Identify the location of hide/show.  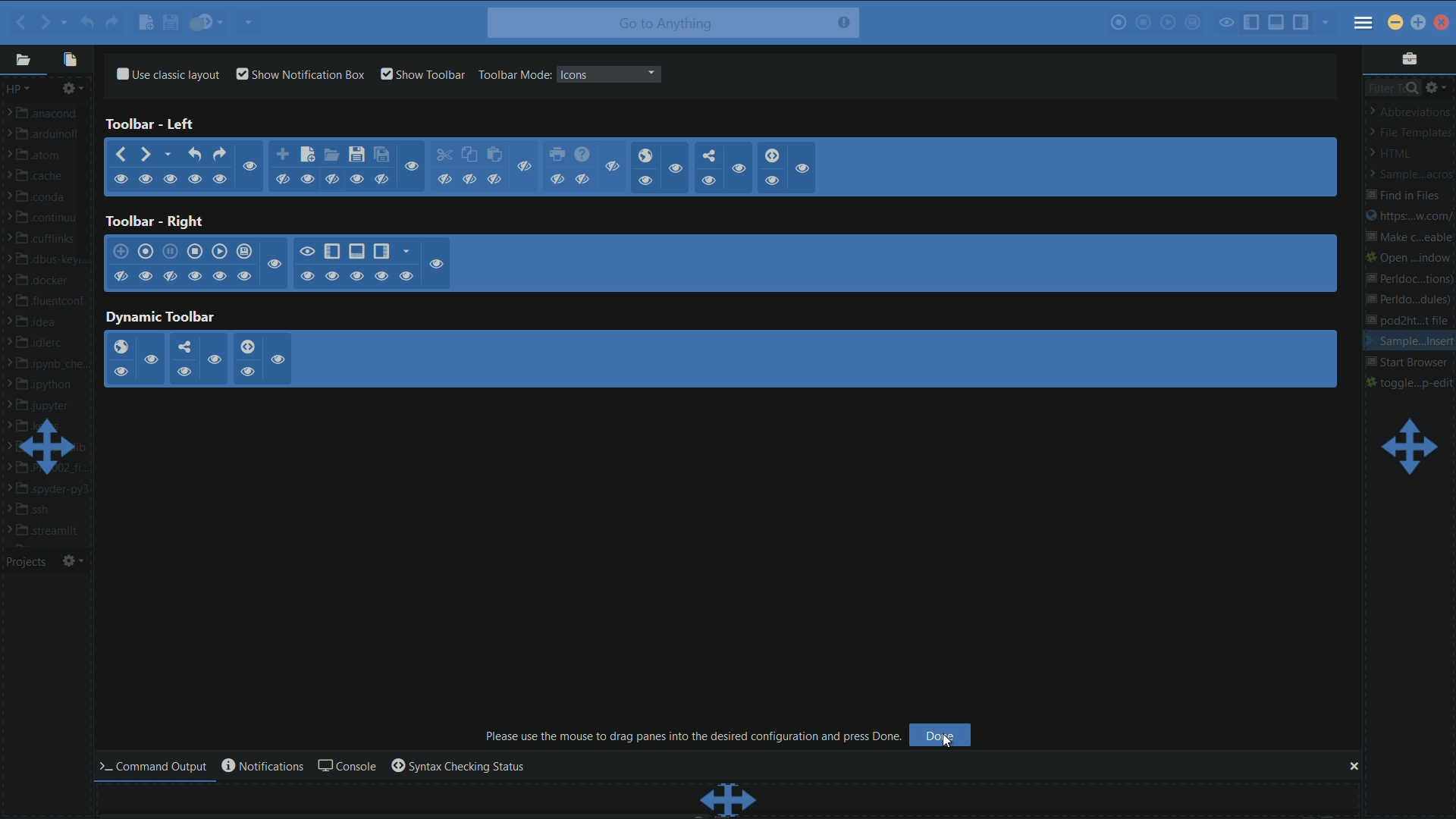
(245, 275).